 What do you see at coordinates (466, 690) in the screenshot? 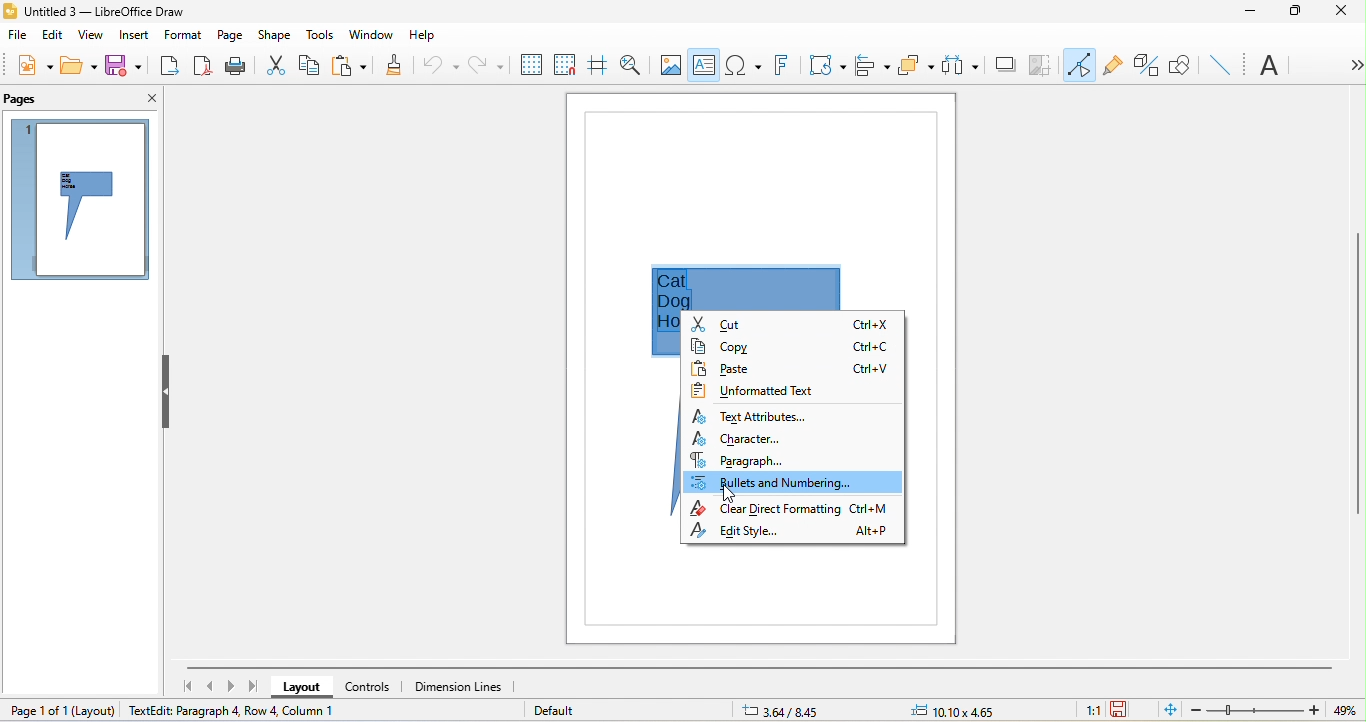
I see `dimension lines` at bounding box center [466, 690].